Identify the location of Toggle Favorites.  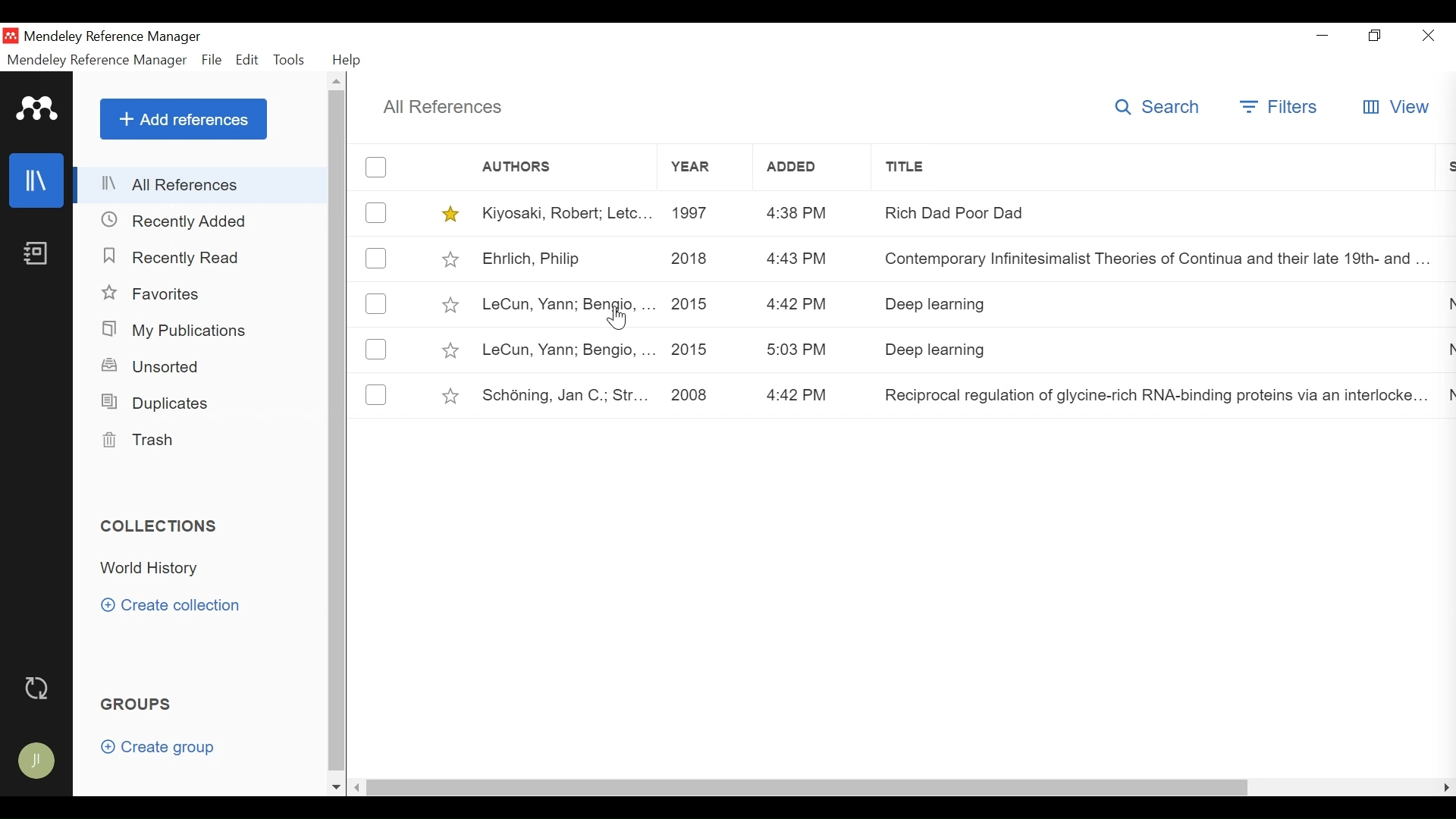
(451, 214).